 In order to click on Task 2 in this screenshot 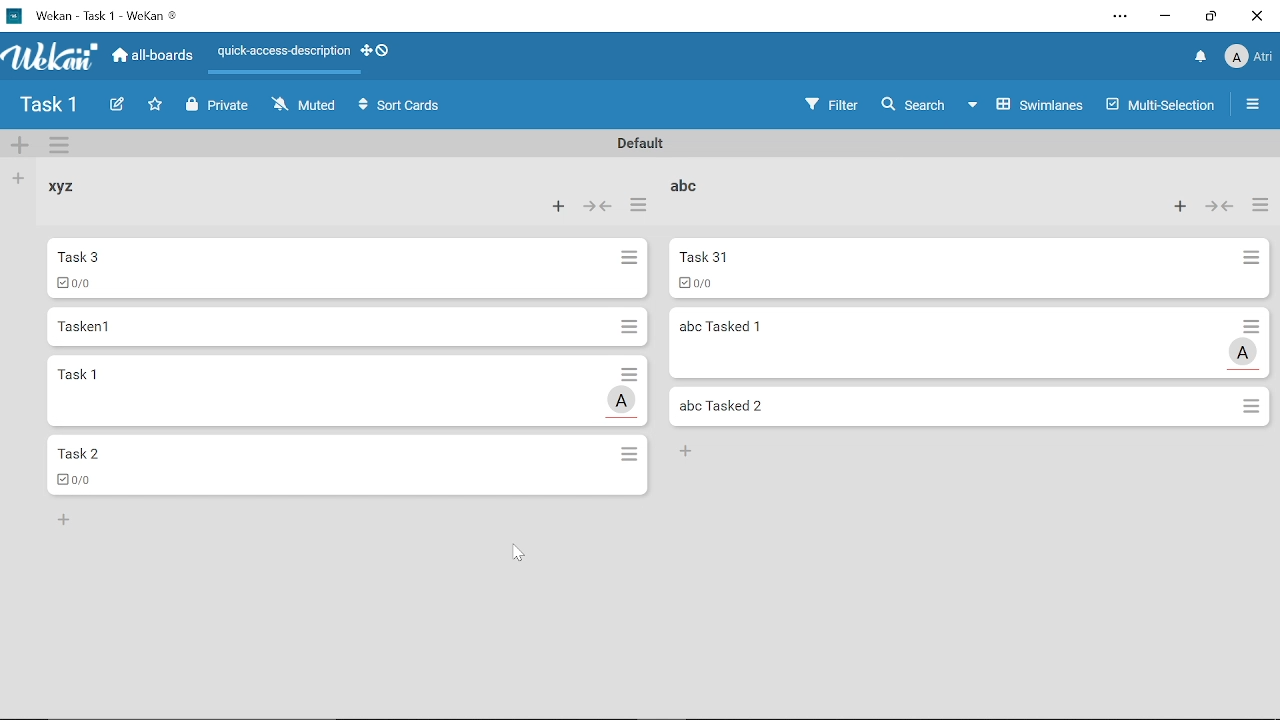, I will do `click(348, 464)`.